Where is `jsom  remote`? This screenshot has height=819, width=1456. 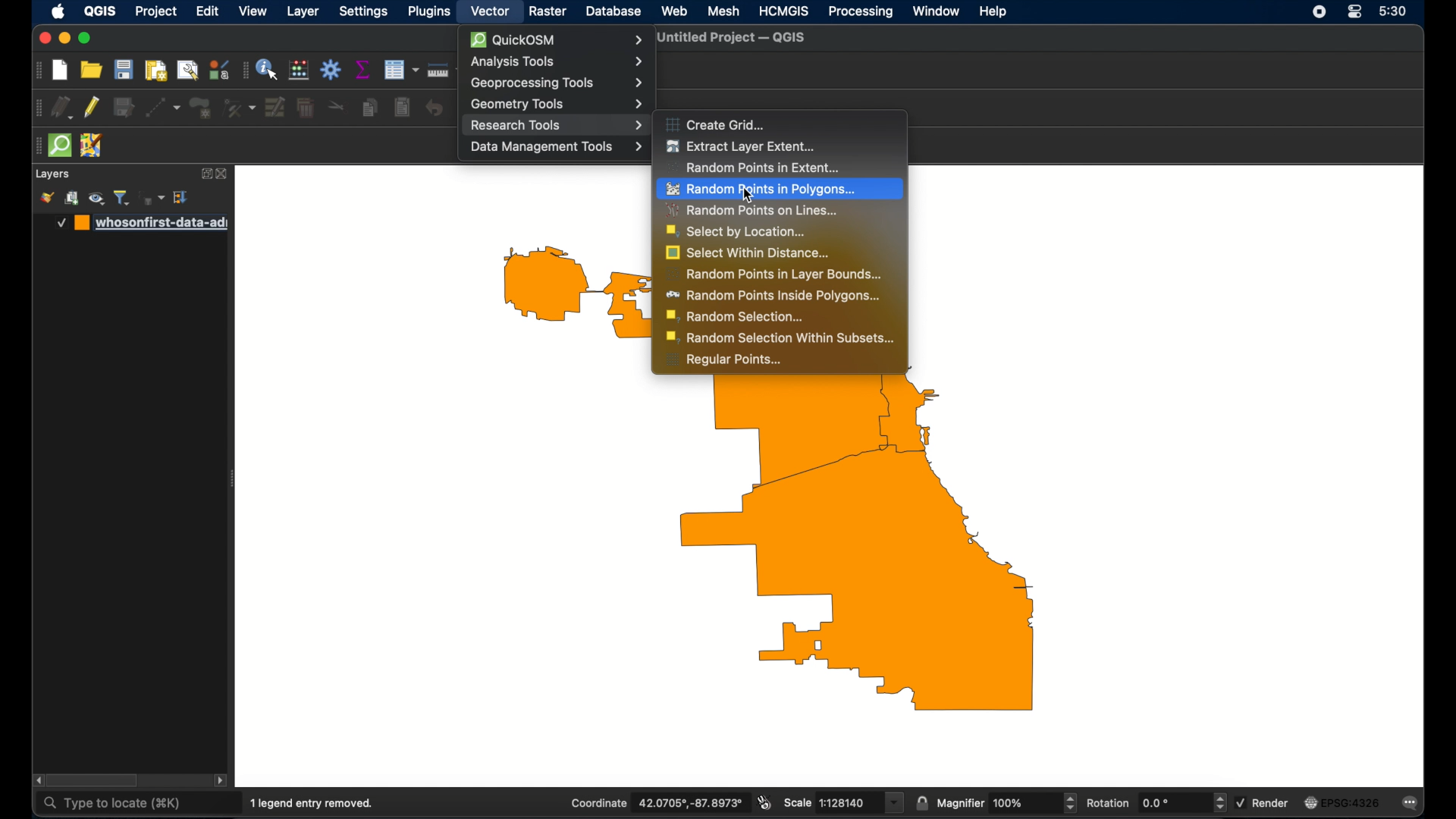 jsom  remote is located at coordinates (92, 146).